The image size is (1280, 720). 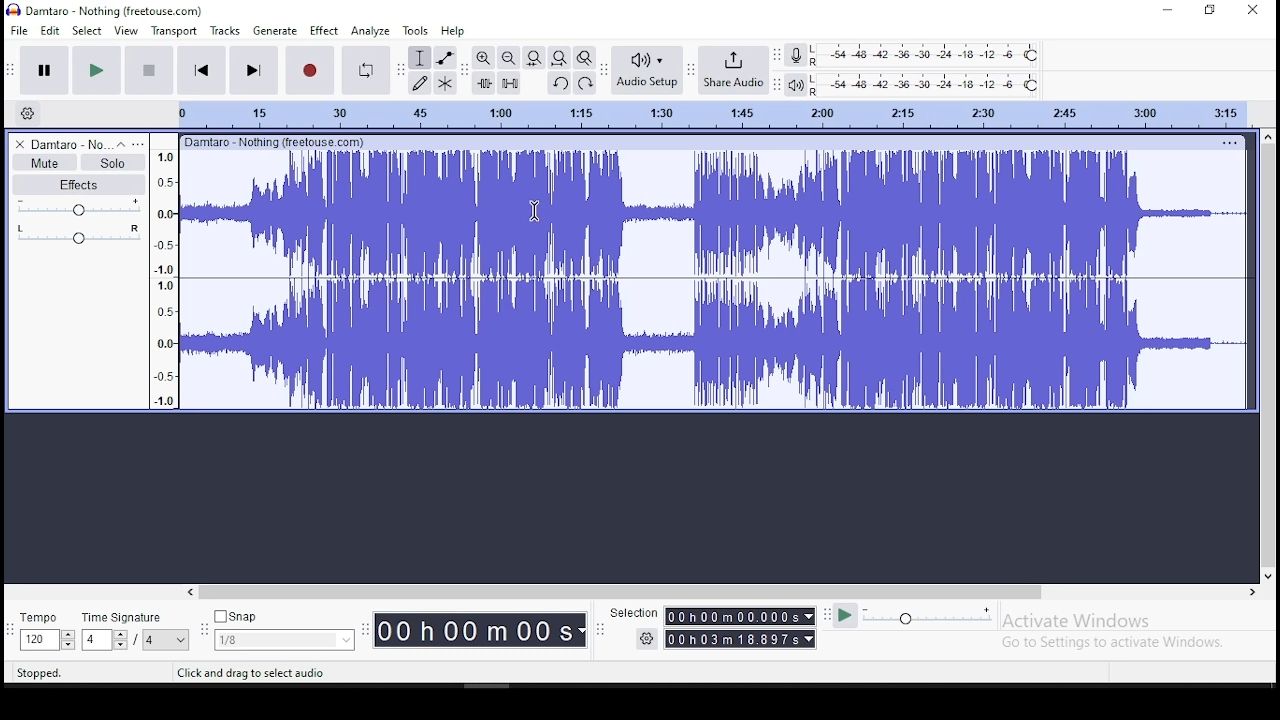 I want to click on multi tool, so click(x=447, y=82).